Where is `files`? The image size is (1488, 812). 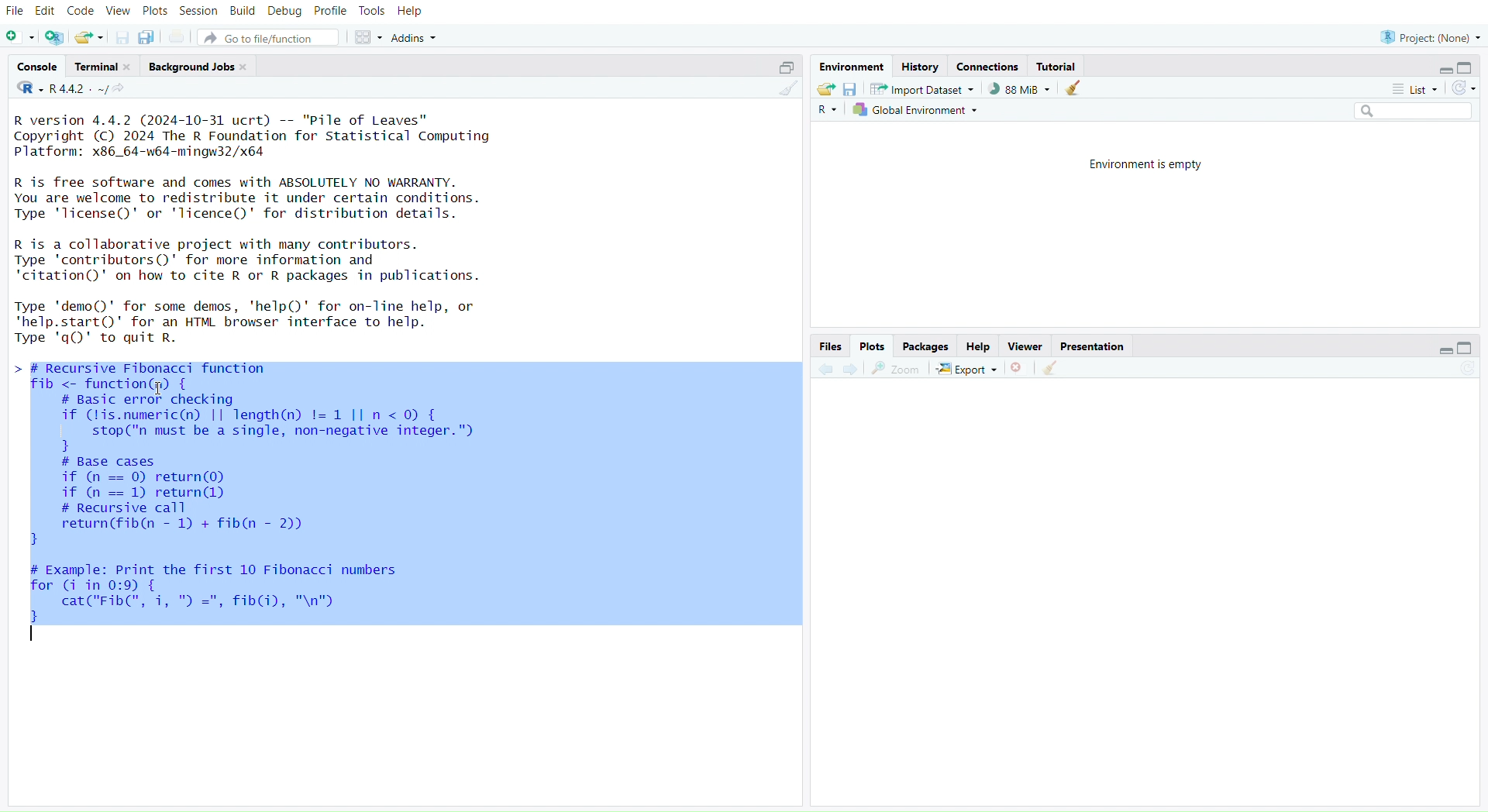 files is located at coordinates (828, 347).